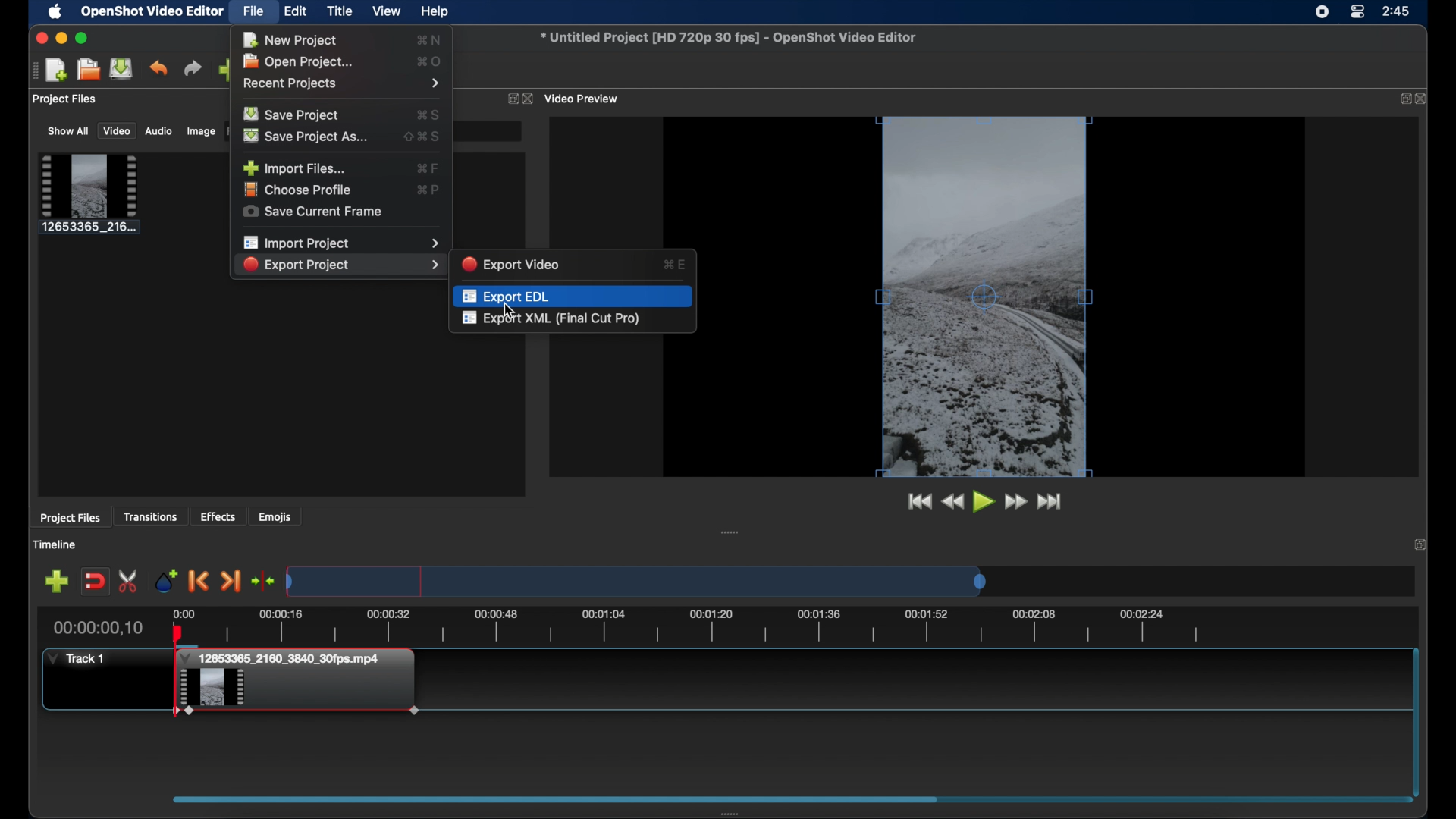 The image size is (1456, 819). What do you see at coordinates (95, 581) in the screenshot?
I see `disable snapping` at bounding box center [95, 581].